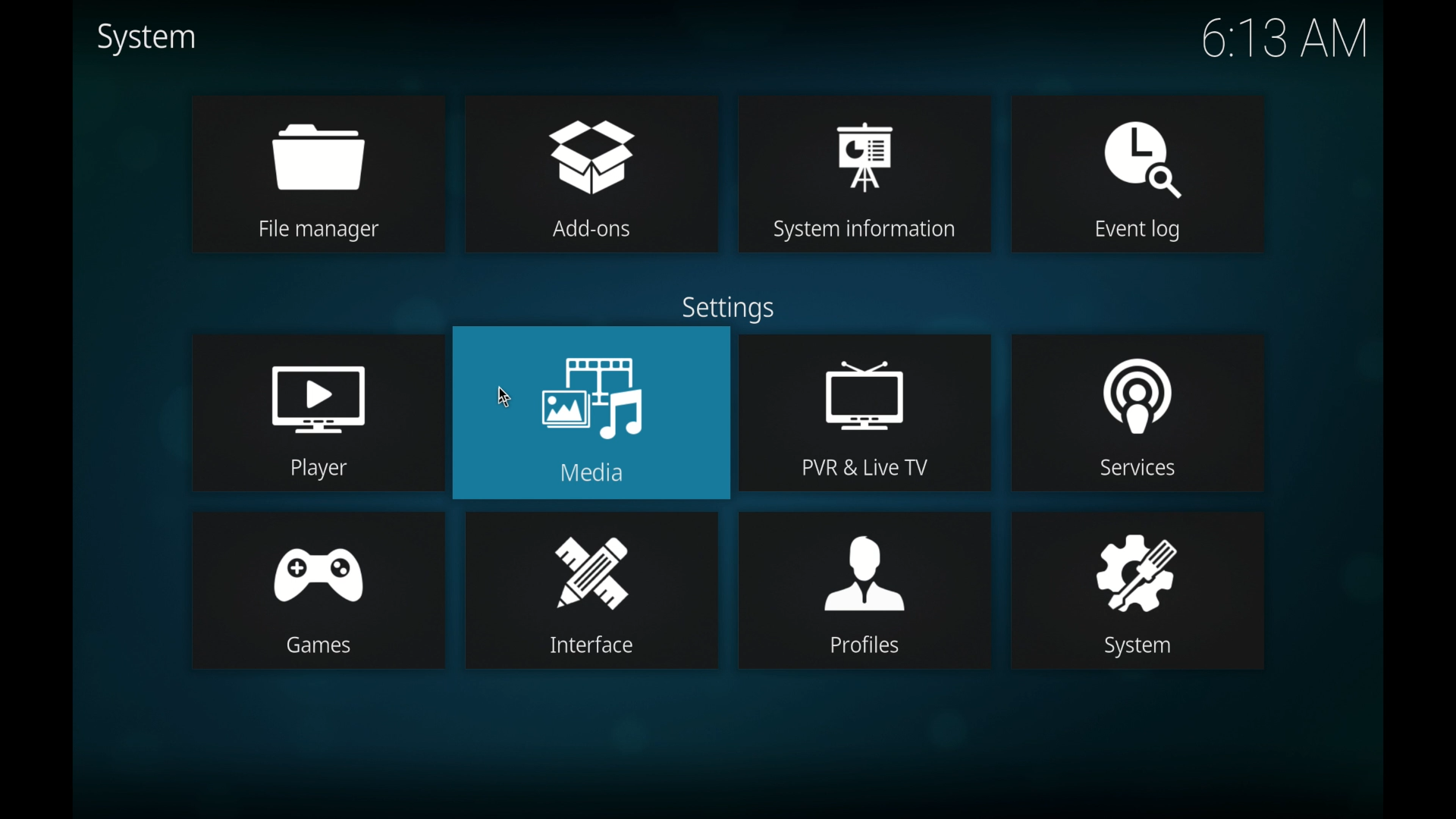 This screenshot has height=819, width=1456. I want to click on system information, so click(864, 174).